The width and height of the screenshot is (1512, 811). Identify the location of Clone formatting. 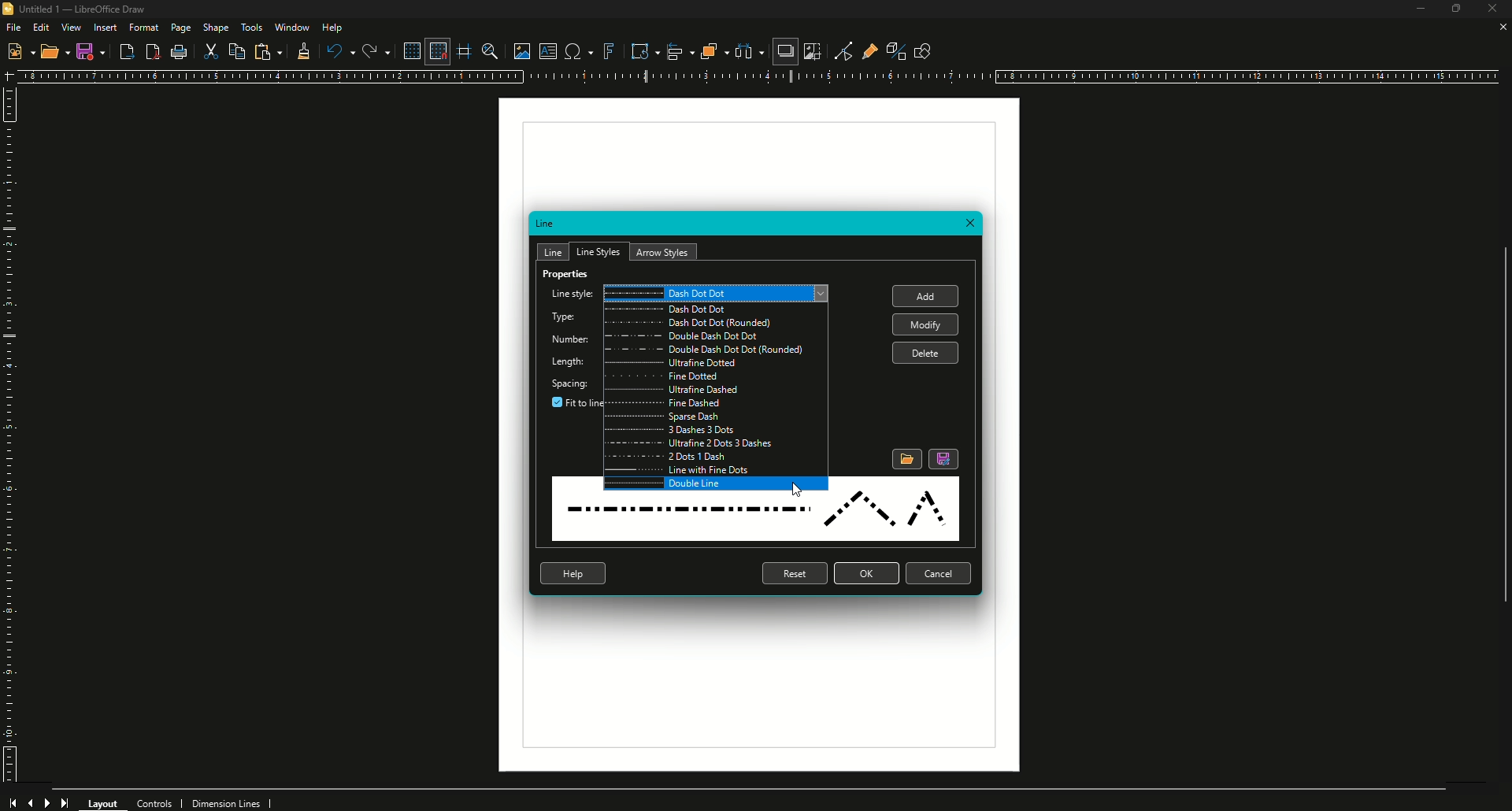
(301, 52).